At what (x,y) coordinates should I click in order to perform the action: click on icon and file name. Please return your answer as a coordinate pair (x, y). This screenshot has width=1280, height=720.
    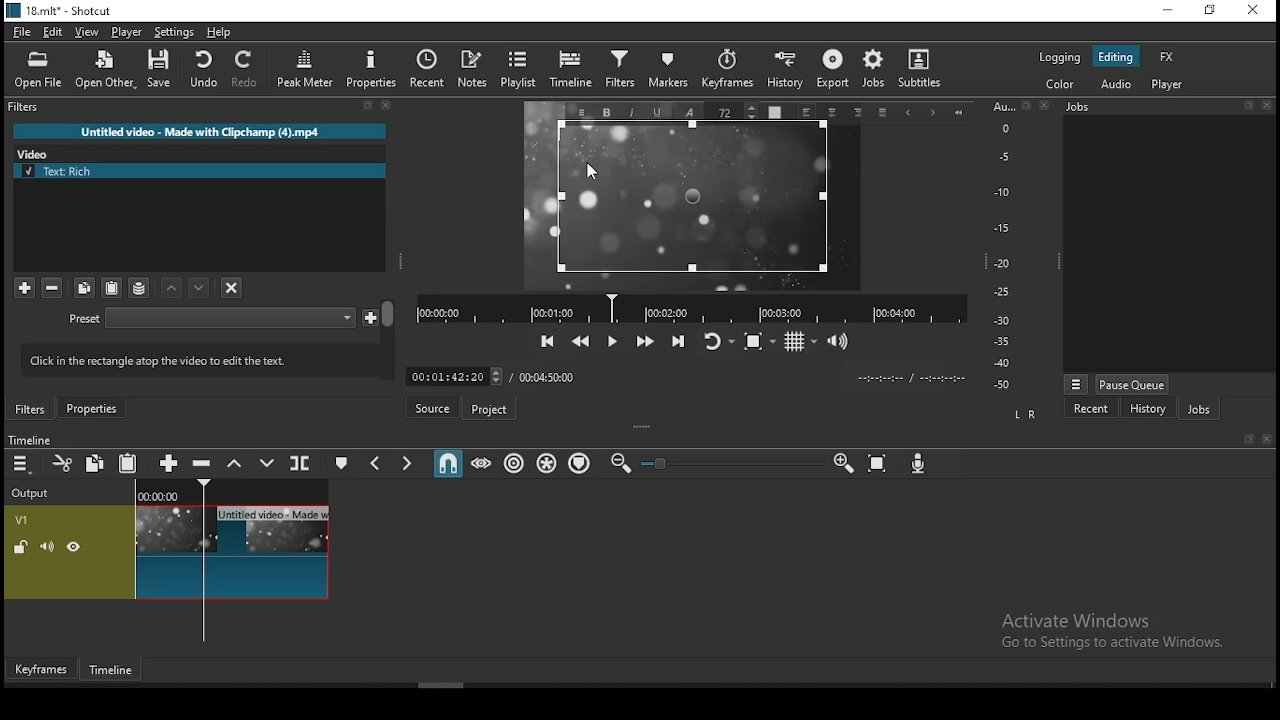
    Looking at the image, I should click on (58, 11).